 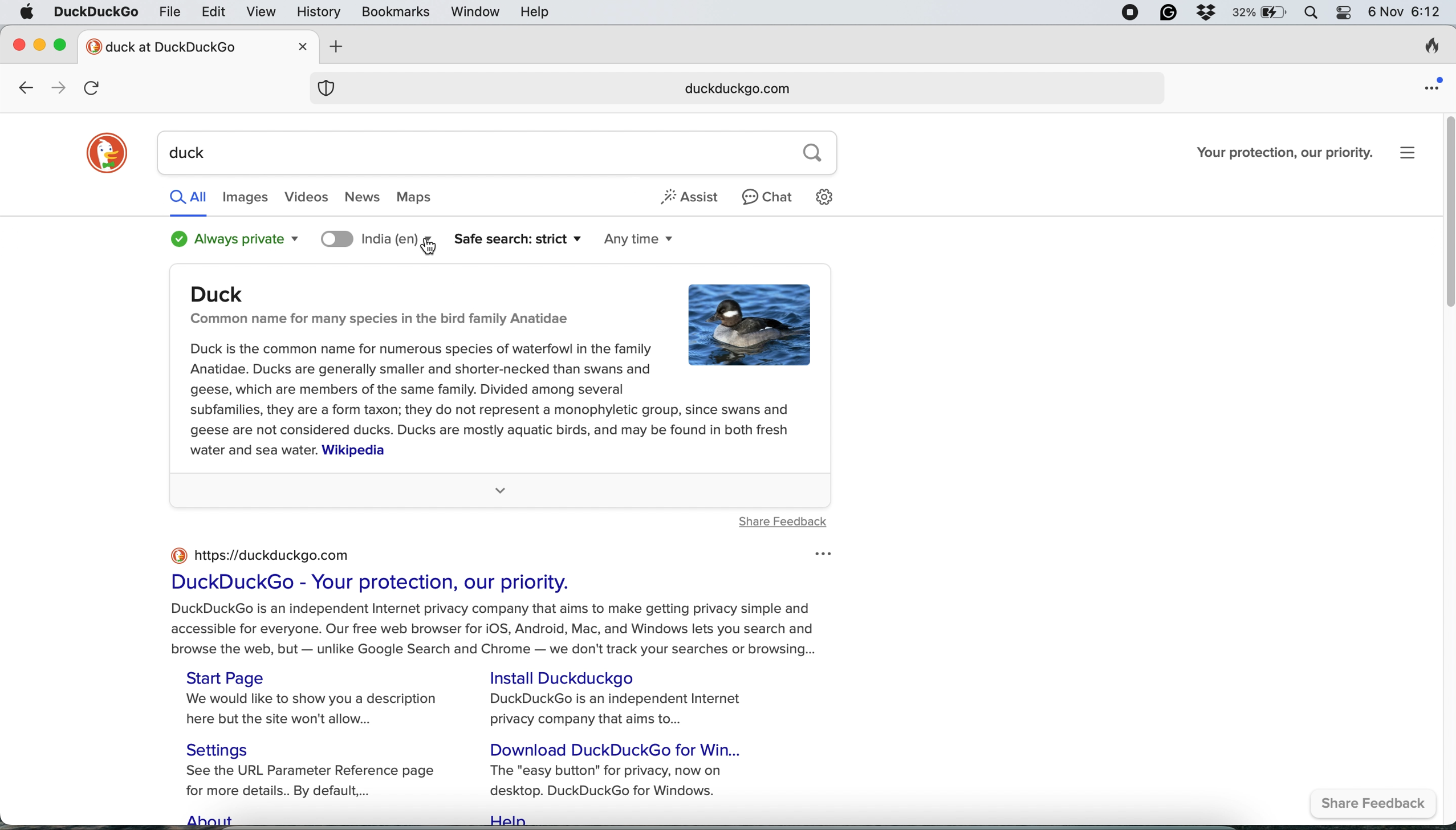 What do you see at coordinates (517, 239) in the screenshot?
I see `safe search` at bounding box center [517, 239].